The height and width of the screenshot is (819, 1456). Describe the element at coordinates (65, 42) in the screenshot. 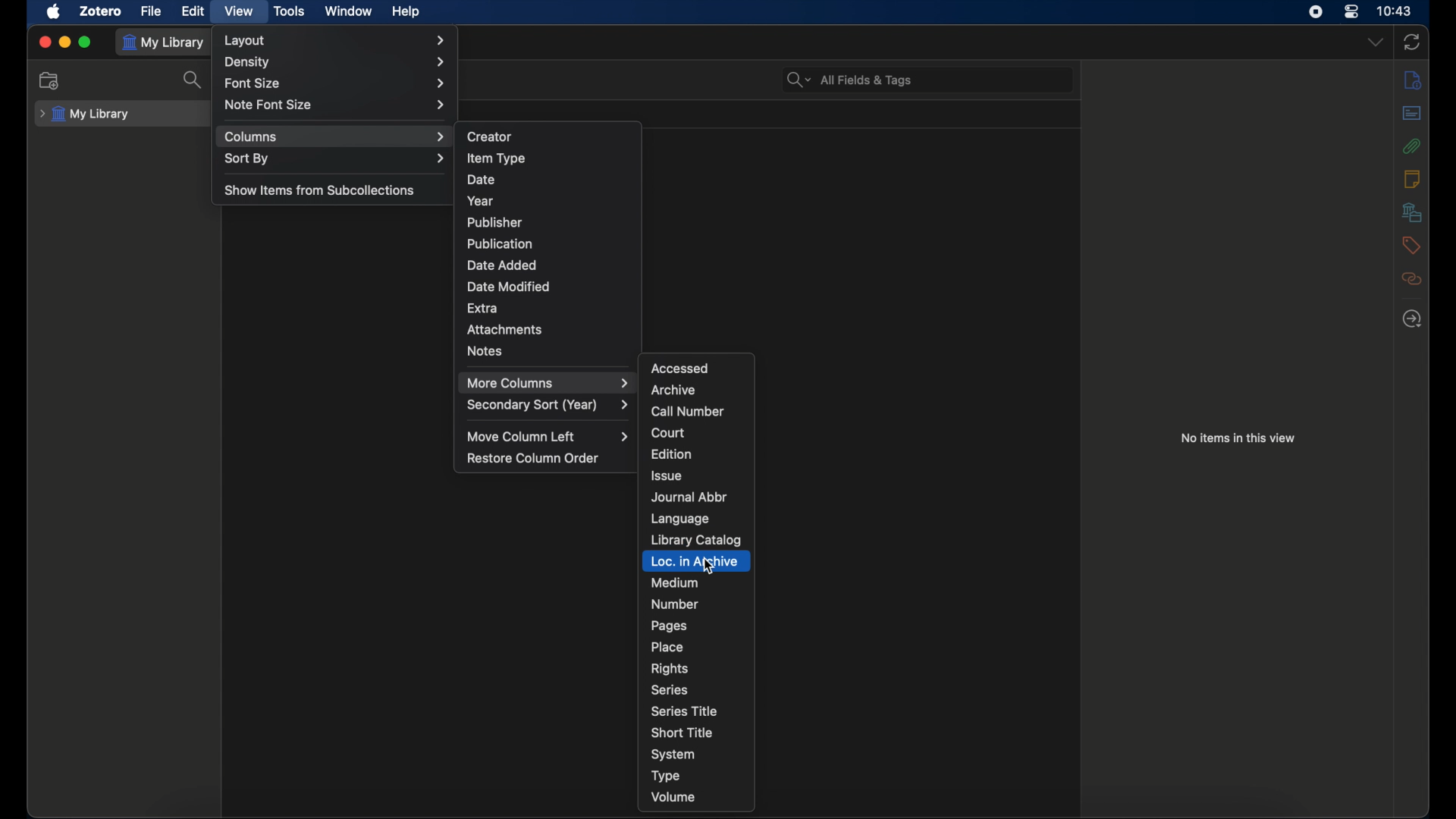

I see `minimize` at that location.